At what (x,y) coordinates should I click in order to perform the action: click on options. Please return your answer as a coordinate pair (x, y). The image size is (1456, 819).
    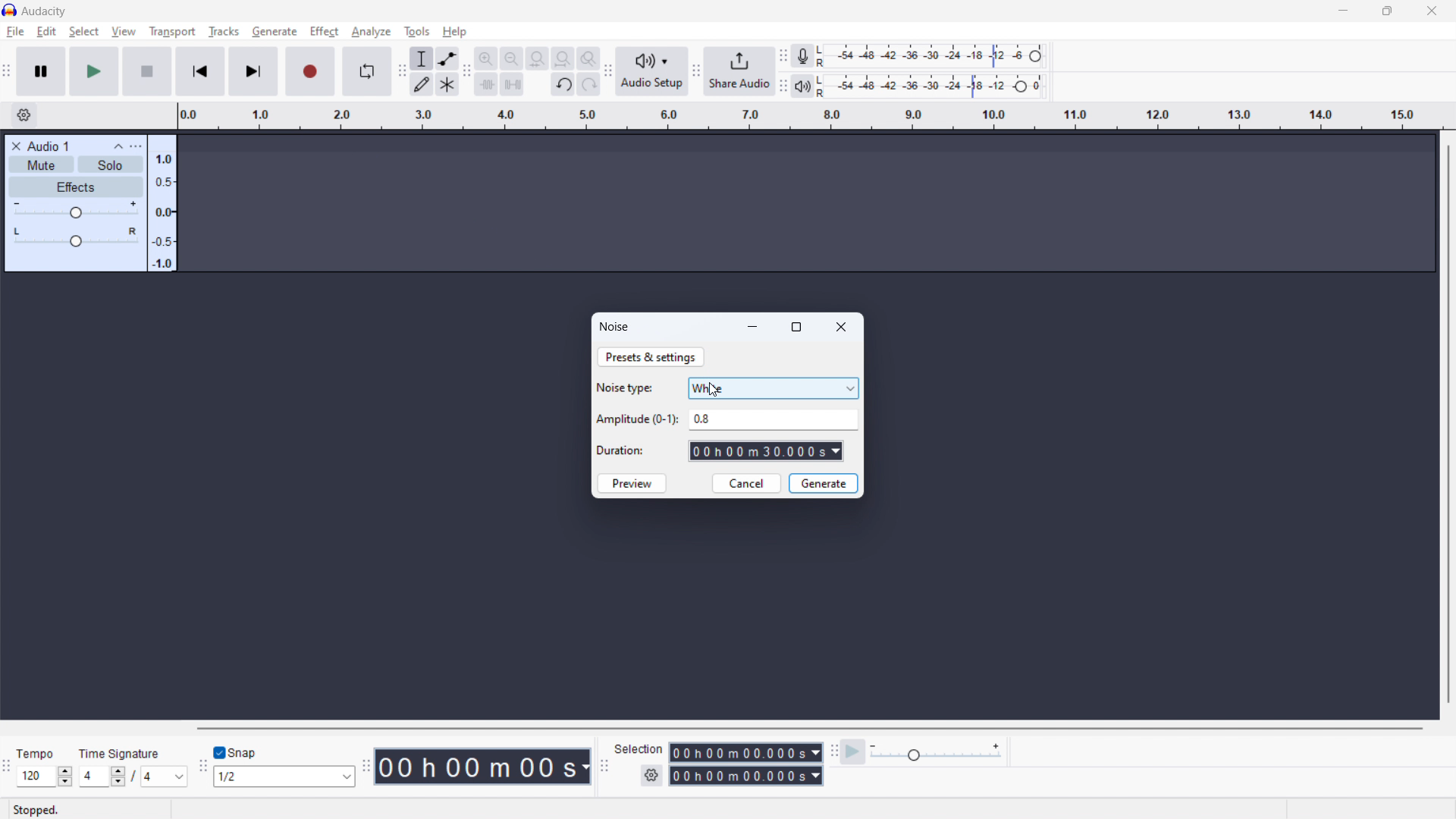
    Looking at the image, I should click on (135, 146).